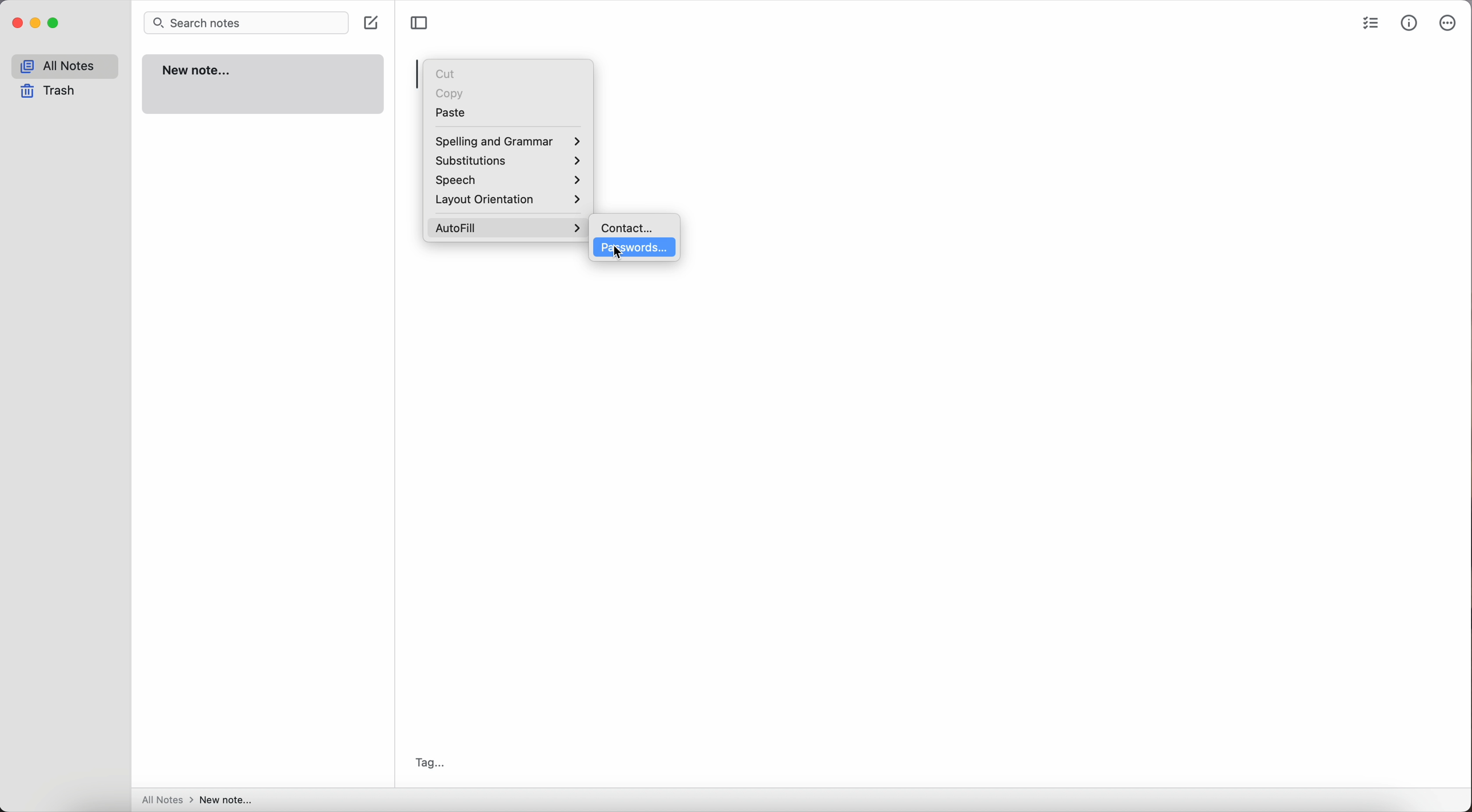 The width and height of the screenshot is (1472, 812). What do you see at coordinates (434, 761) in the screenshot?
I see `tag` at bounding box center [434, 761].